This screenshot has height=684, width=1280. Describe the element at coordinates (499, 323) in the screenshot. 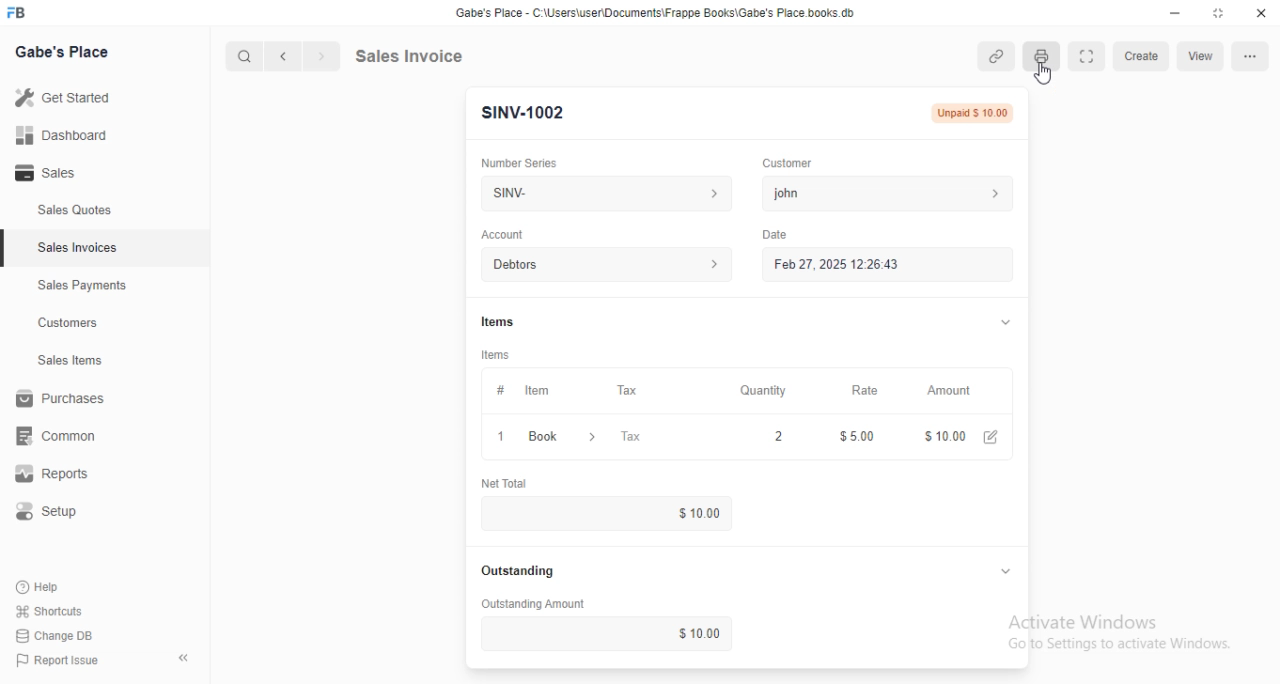

I see `items` at that location.